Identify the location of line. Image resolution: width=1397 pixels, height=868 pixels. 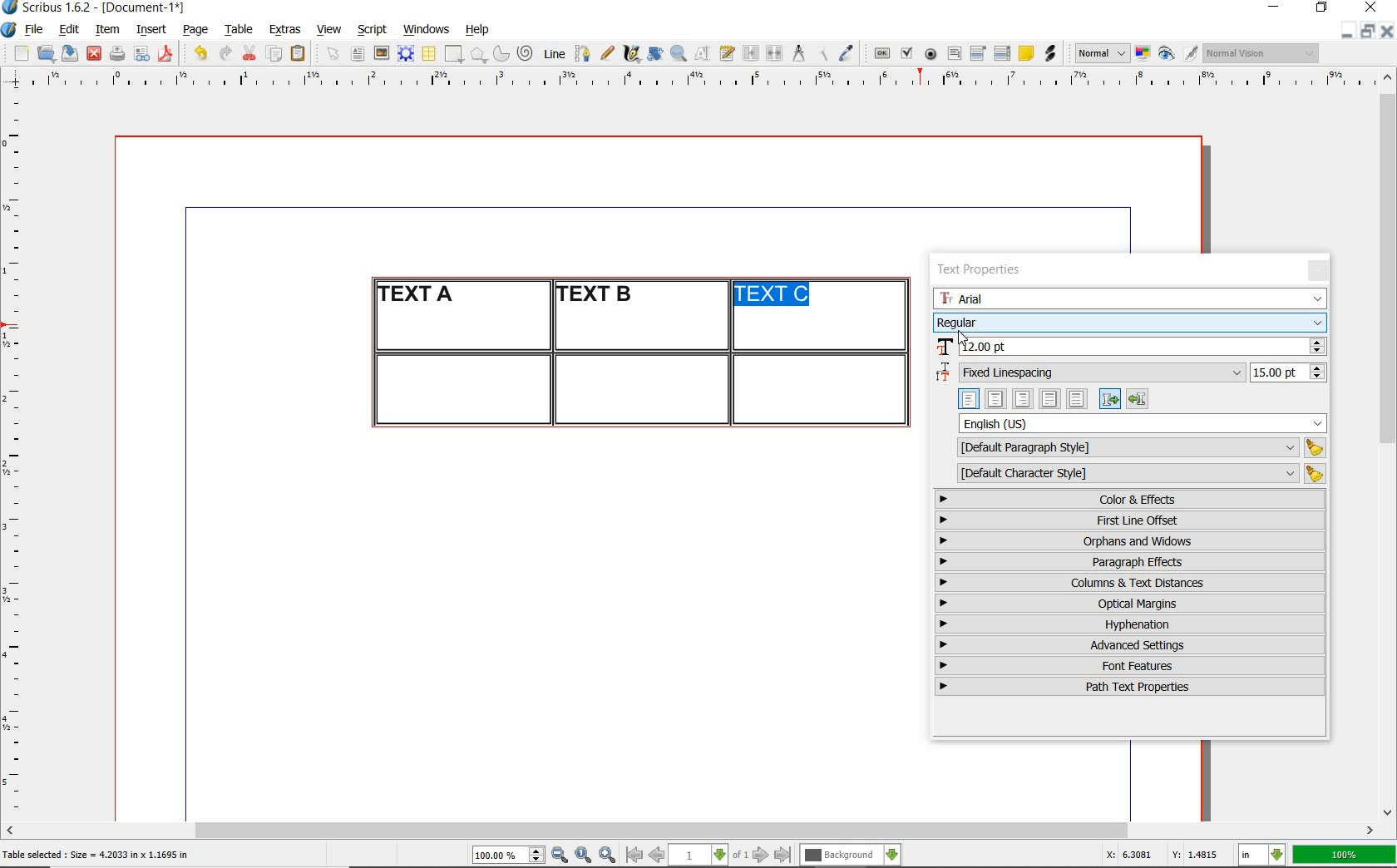
(552, 53).